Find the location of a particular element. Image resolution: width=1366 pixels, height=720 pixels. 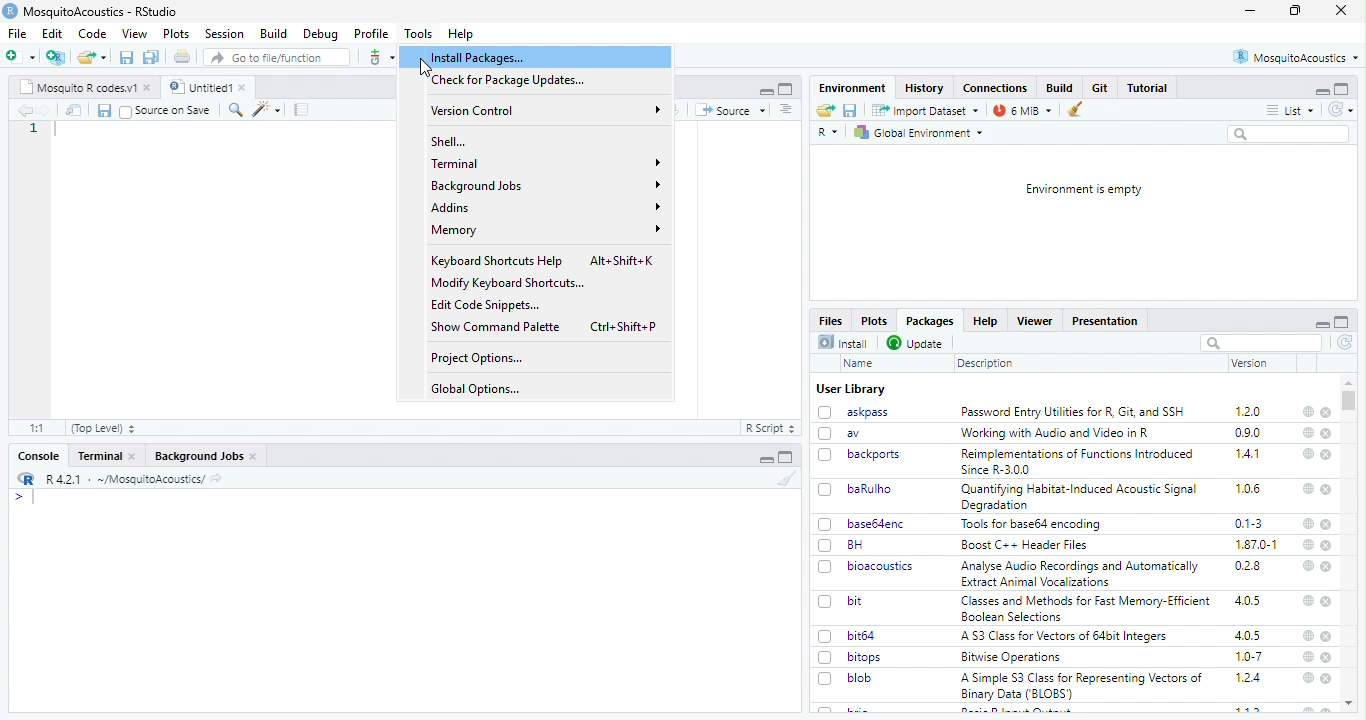

‘Modify Keyboard Shortcuts... is located at coordinates (507, 283).